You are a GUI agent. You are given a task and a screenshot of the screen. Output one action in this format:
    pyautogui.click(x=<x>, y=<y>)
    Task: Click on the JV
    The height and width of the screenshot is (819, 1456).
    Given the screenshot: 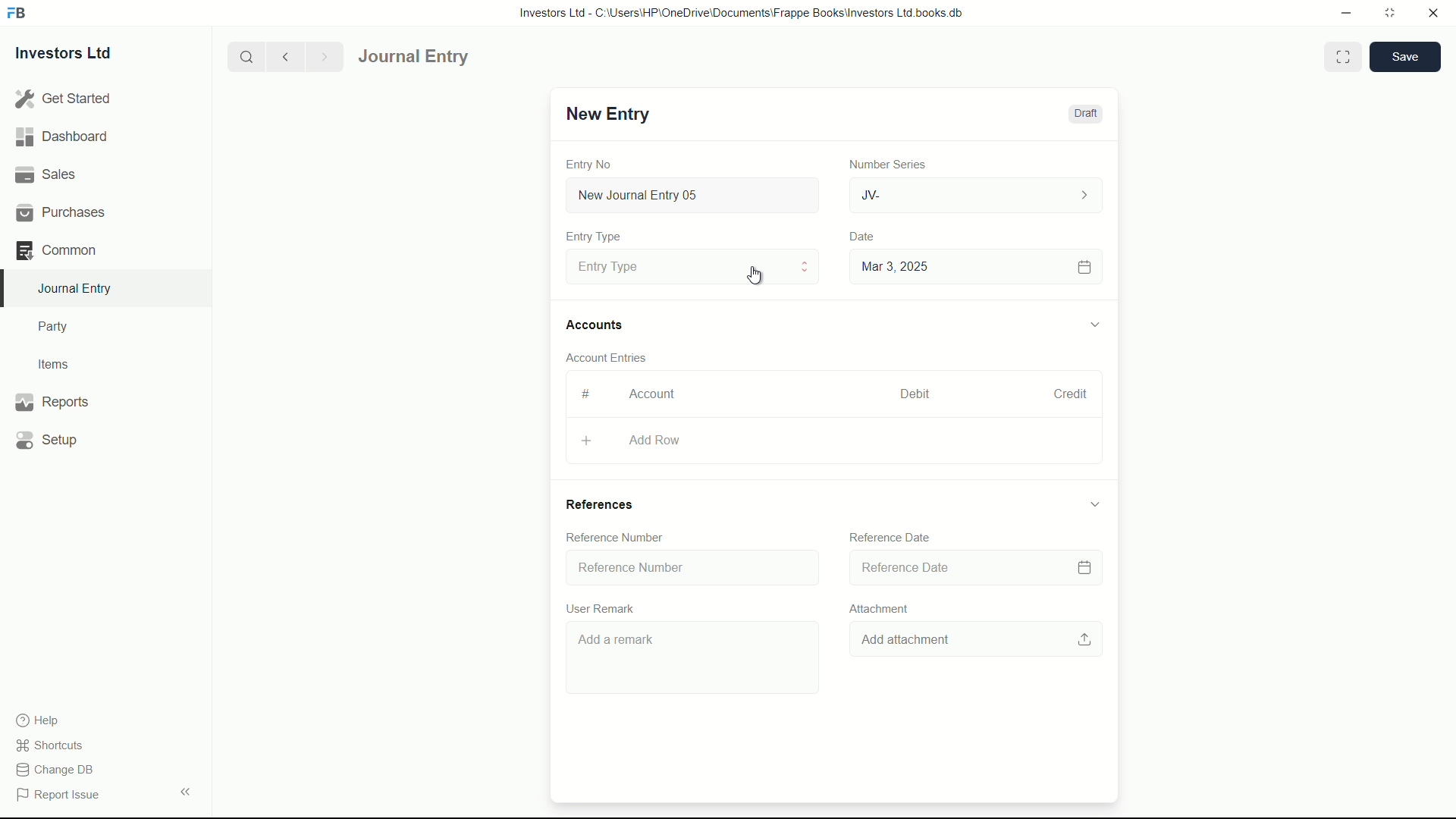 What is the action you would take?
    pyautogui.click(x=978, y=193)
    